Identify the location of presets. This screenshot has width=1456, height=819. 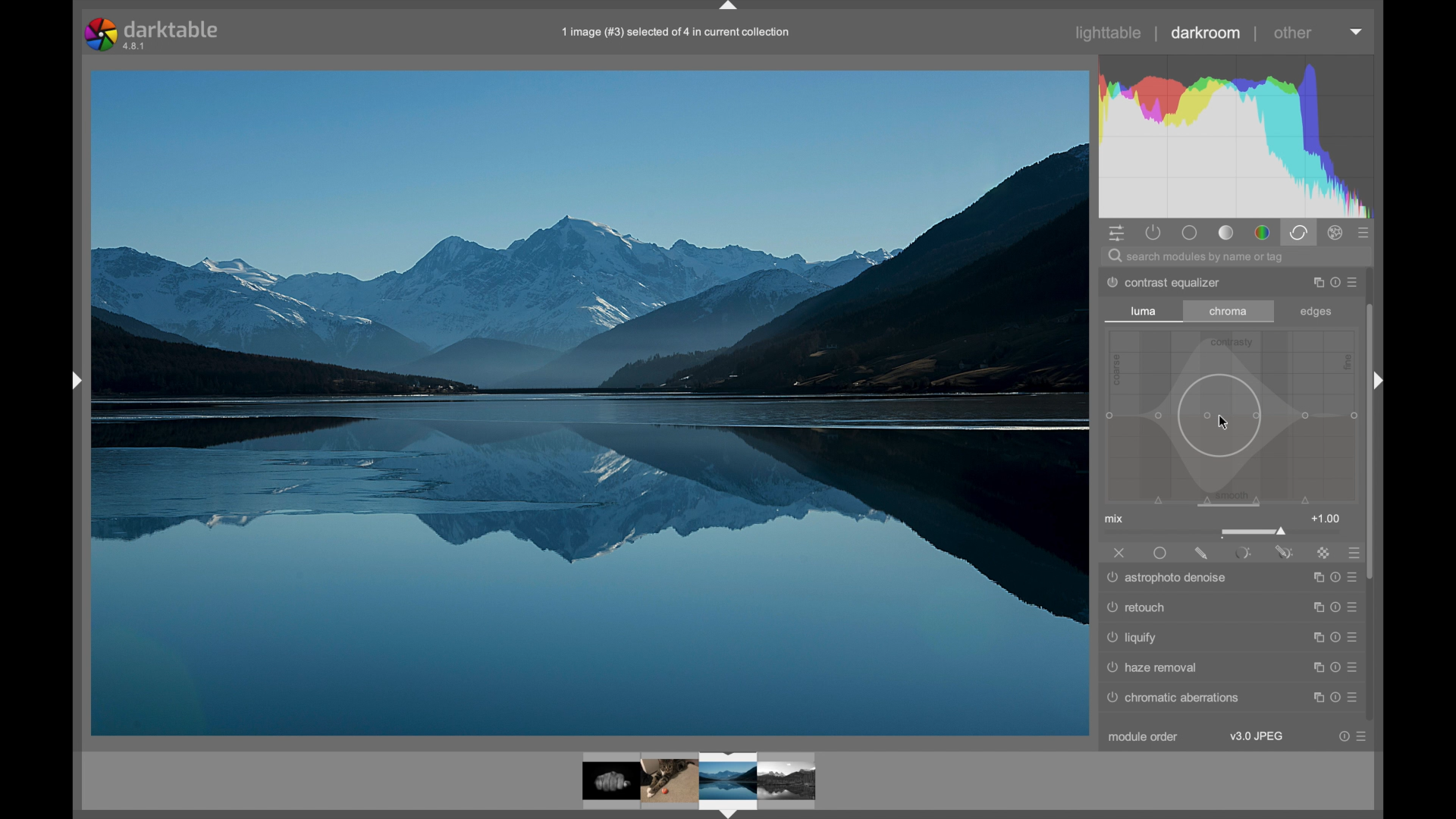
(1357, 553).